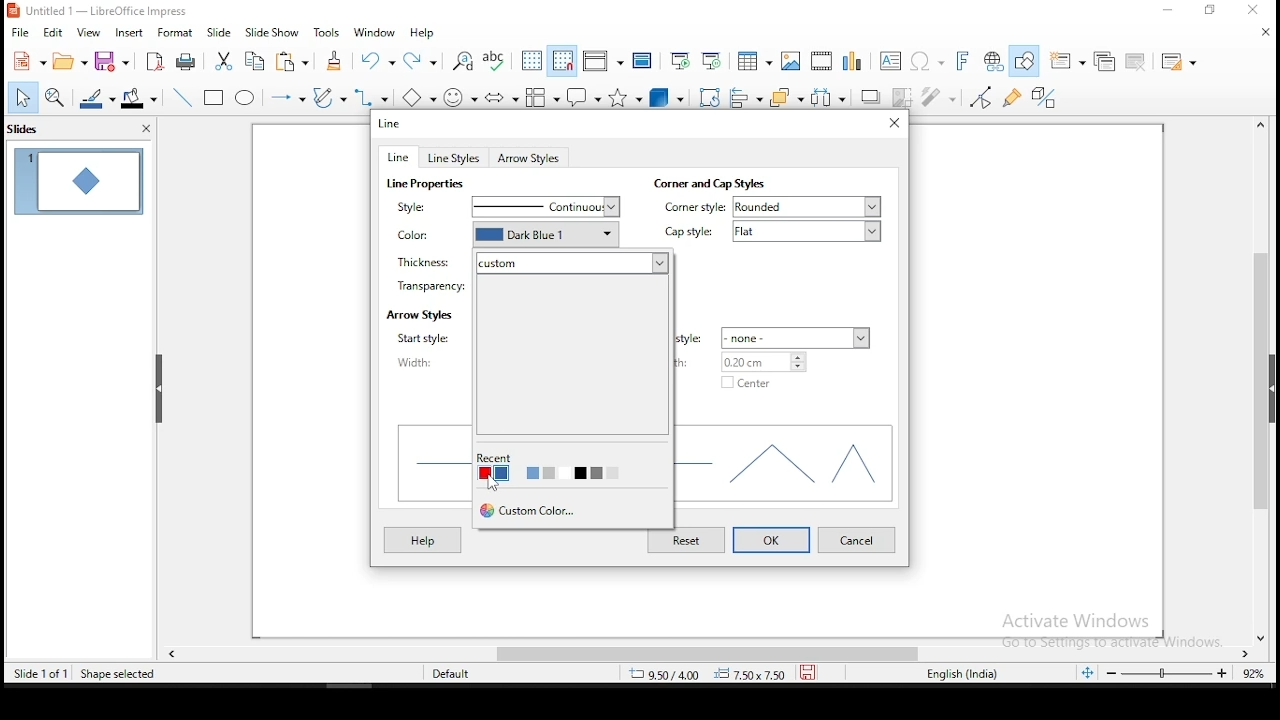  I want to click on slide 1, so click(76, 180).